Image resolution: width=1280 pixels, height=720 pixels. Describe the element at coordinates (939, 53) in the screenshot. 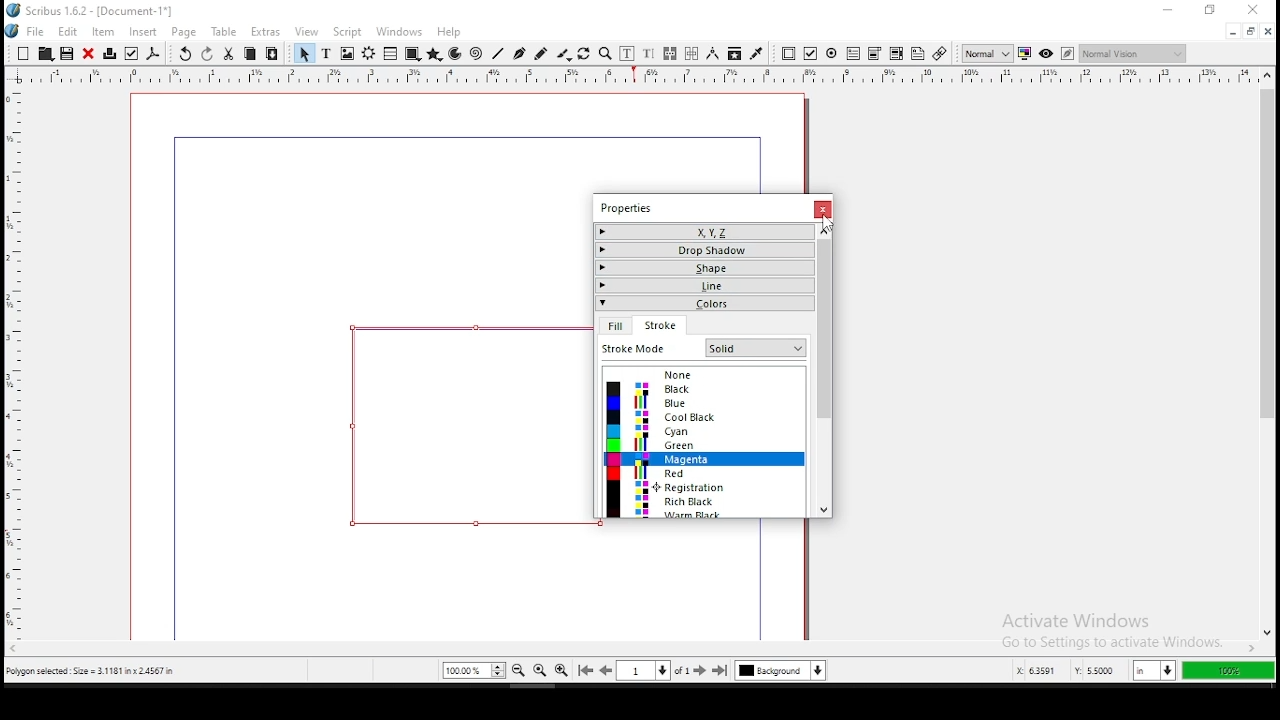

I see `link annotation` at that location.